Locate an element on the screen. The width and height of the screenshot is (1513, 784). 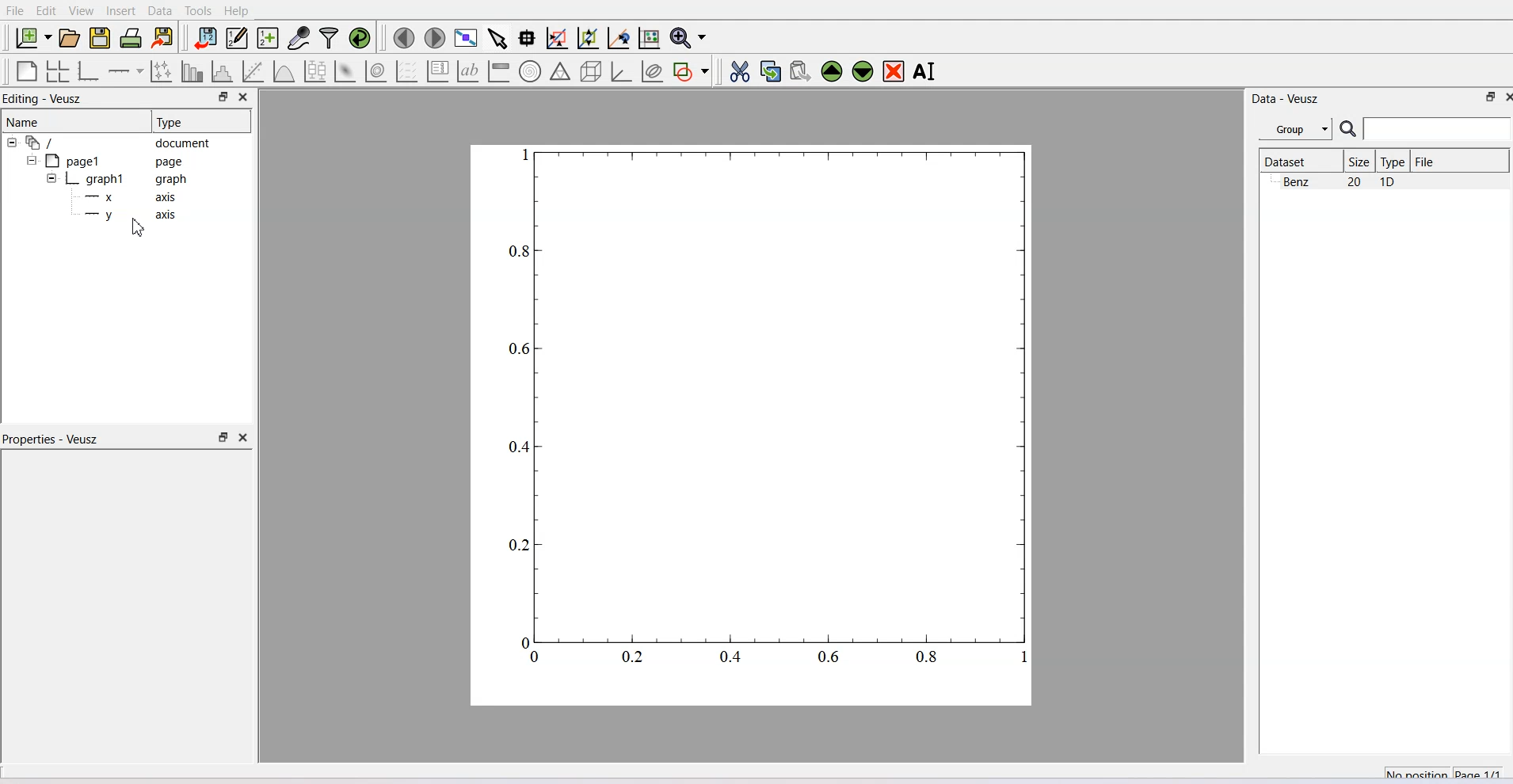
Arrange graph in grid is located at coordinates (57, 71).